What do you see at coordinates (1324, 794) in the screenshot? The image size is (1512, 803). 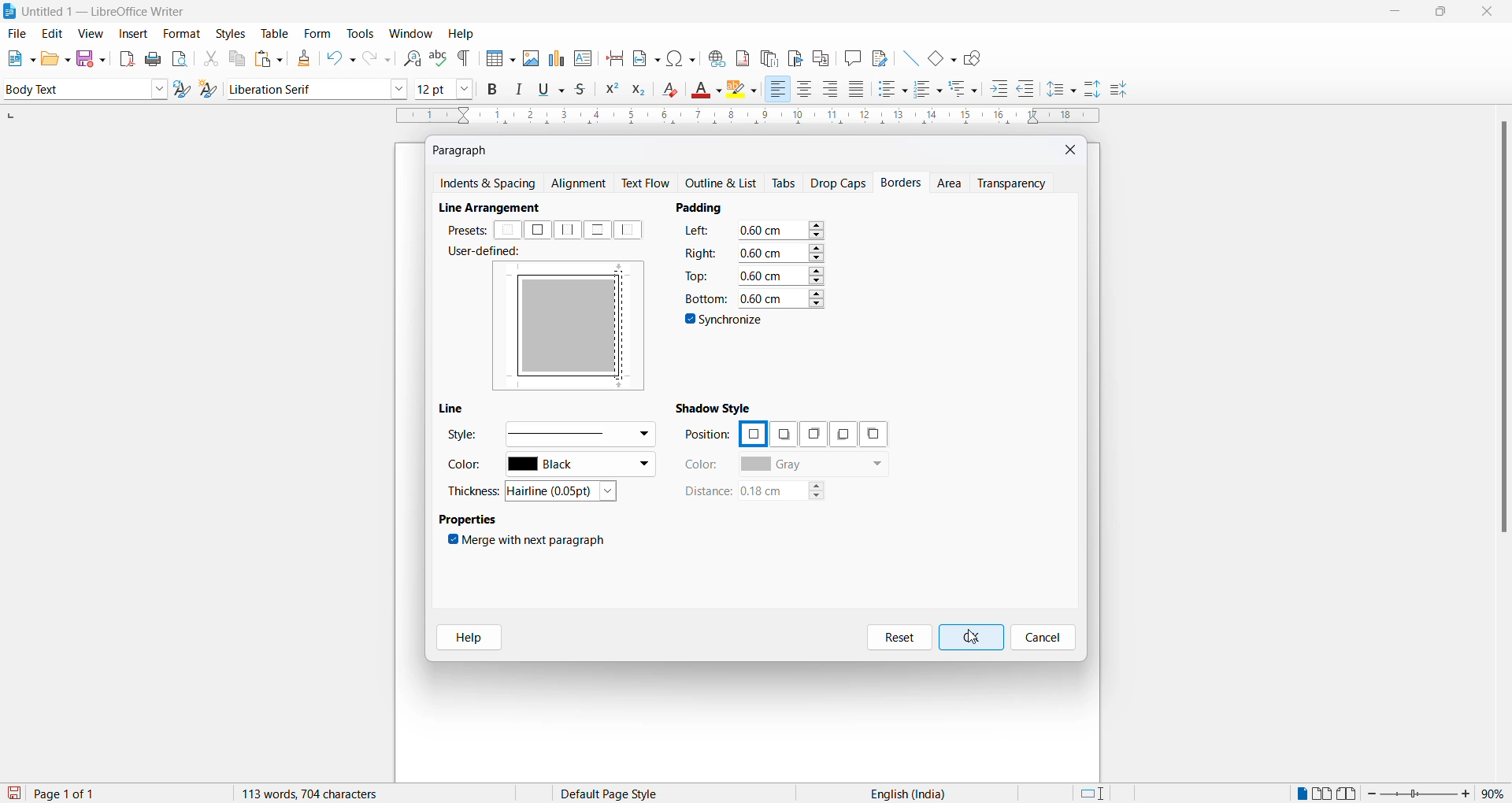 I see `multi page view` at bounding box center [1324, 794].